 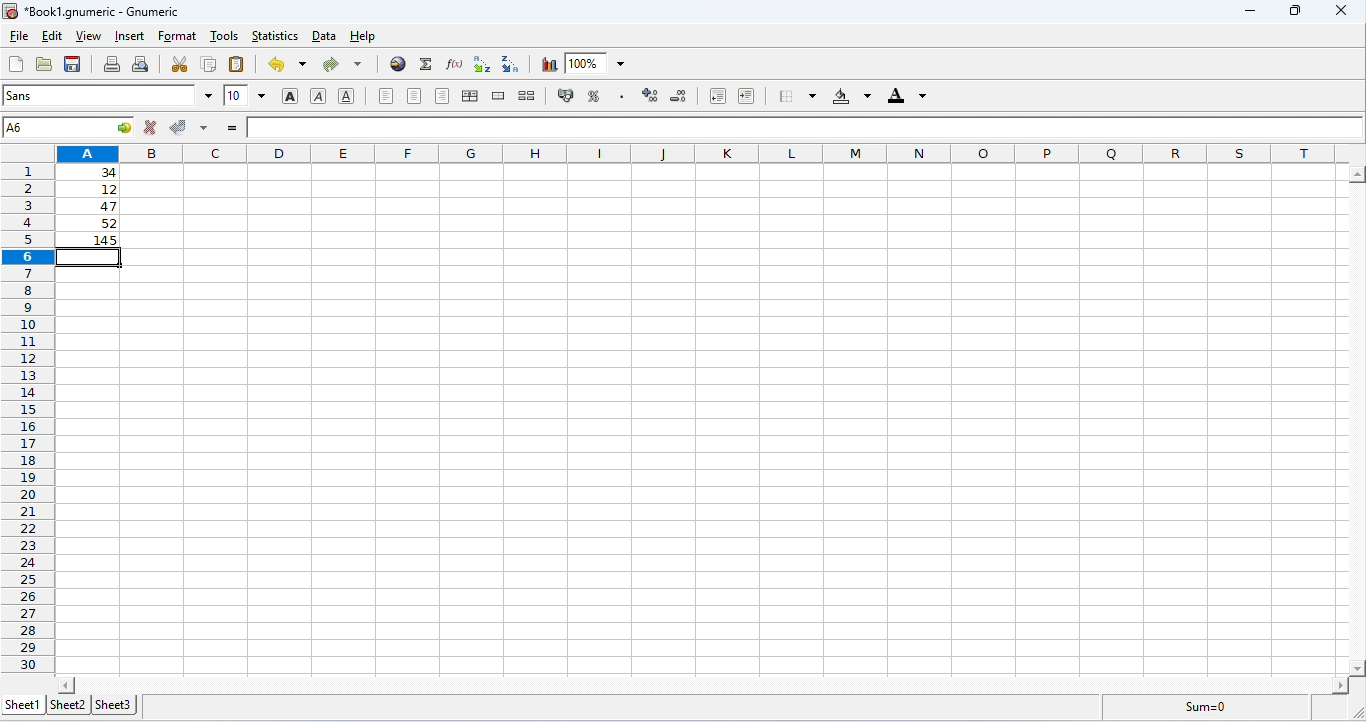 What do you see at coordinates (318, 96) in the screenshot?
I see `italics` at bounding box center [318, 96].